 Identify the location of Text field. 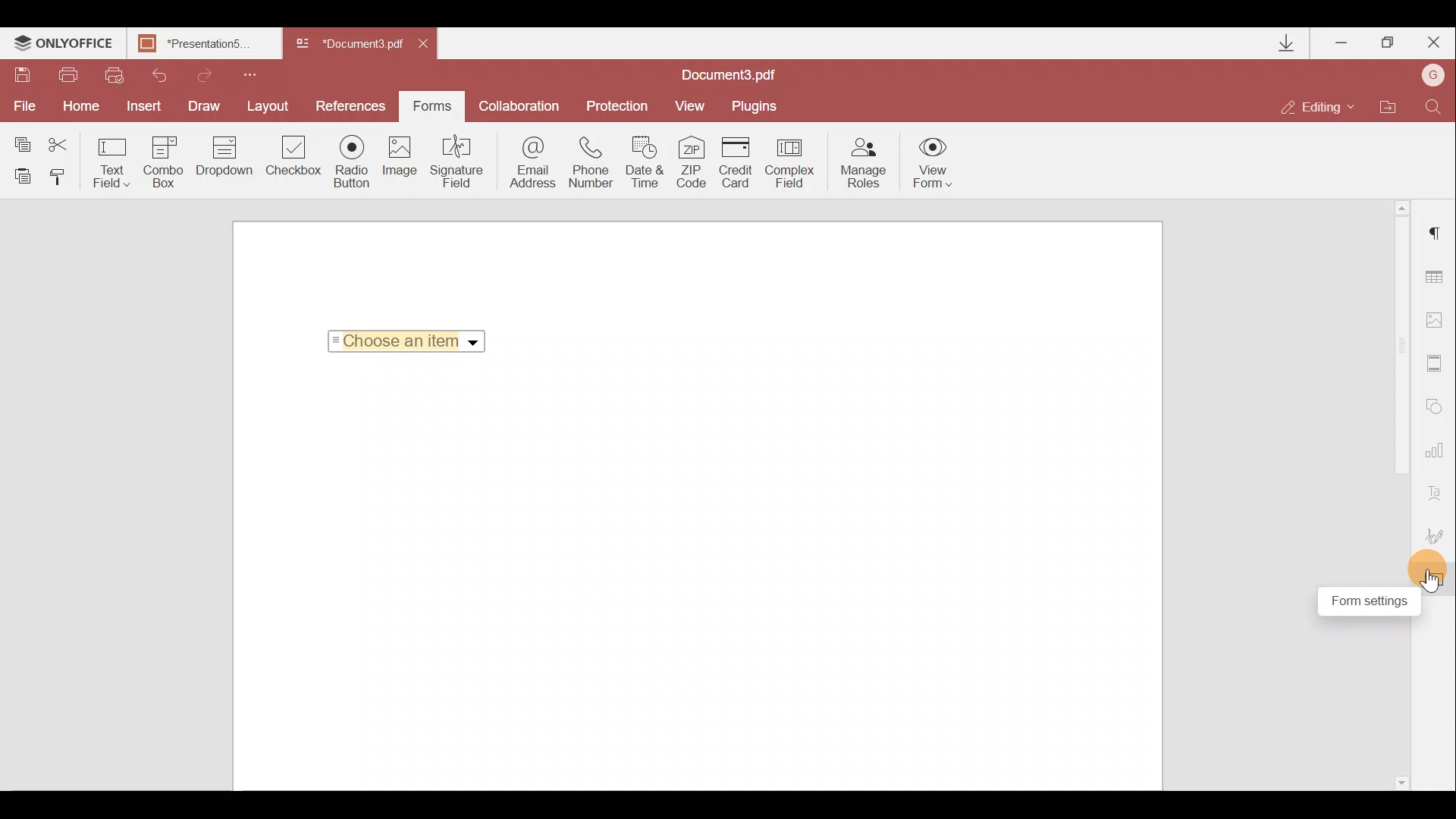
(112, 162).